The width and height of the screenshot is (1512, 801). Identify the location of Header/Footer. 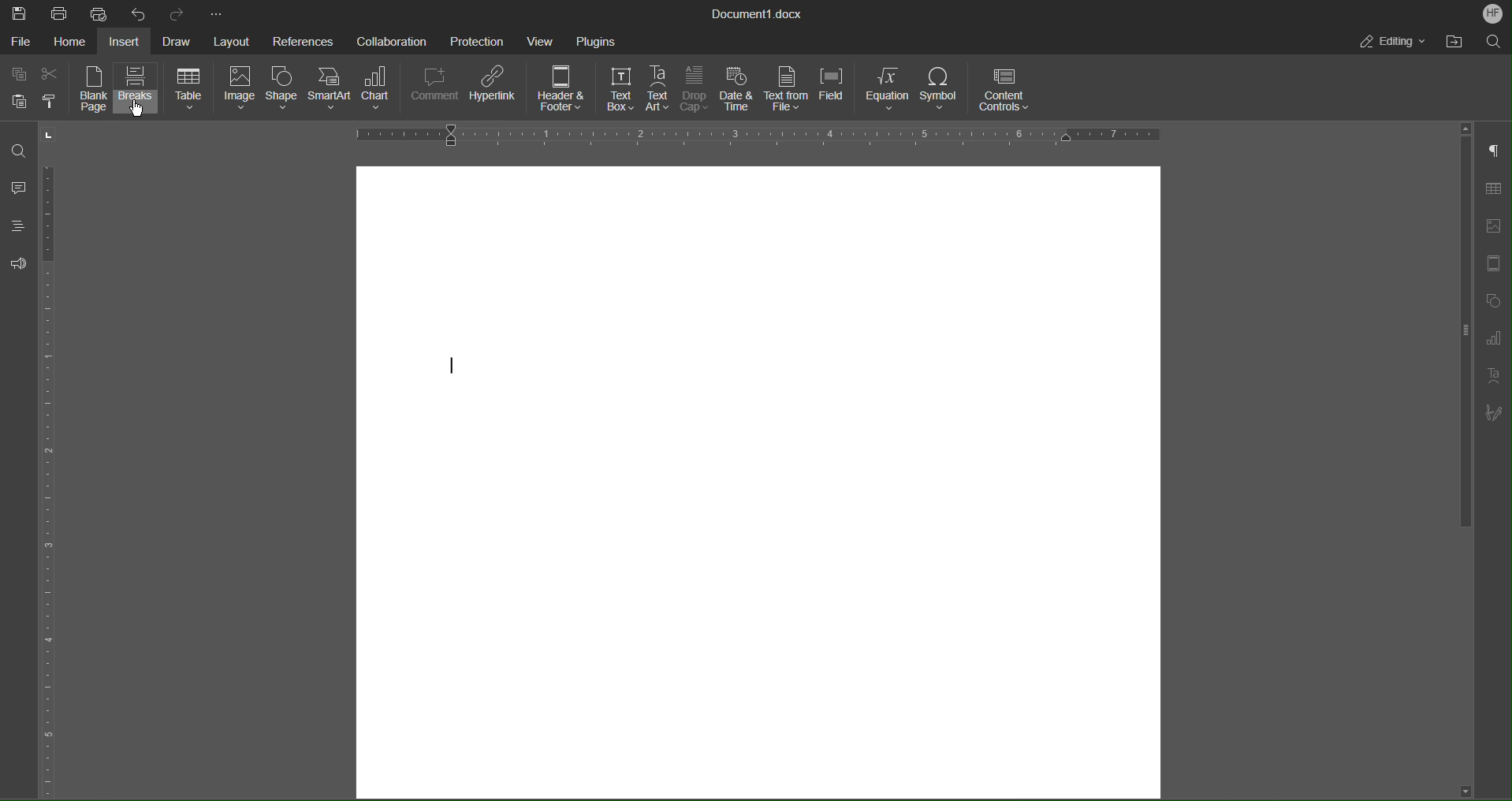
(1493, 263).